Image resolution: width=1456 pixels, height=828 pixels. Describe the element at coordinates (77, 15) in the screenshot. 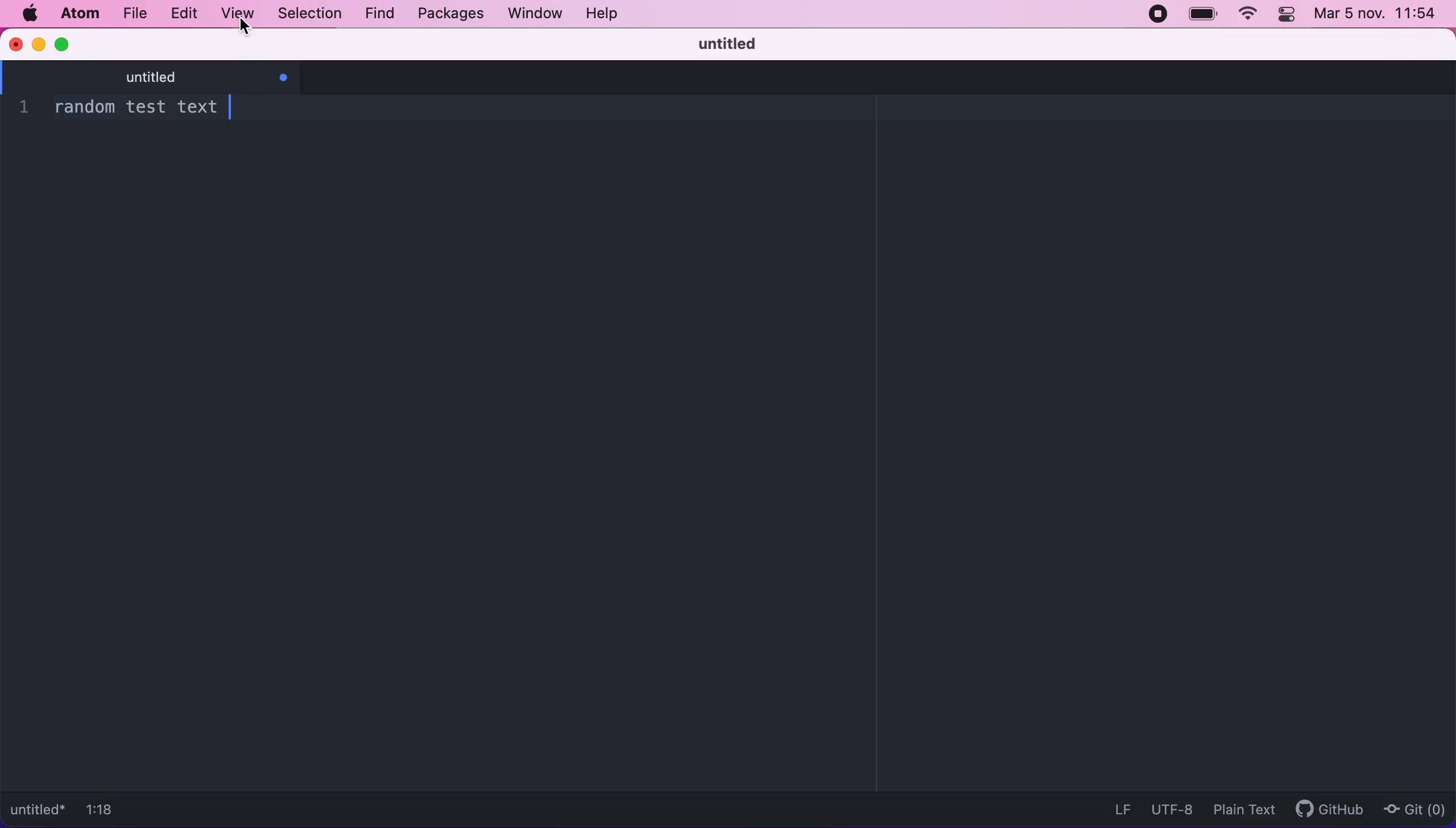

I see `atom` at that location.